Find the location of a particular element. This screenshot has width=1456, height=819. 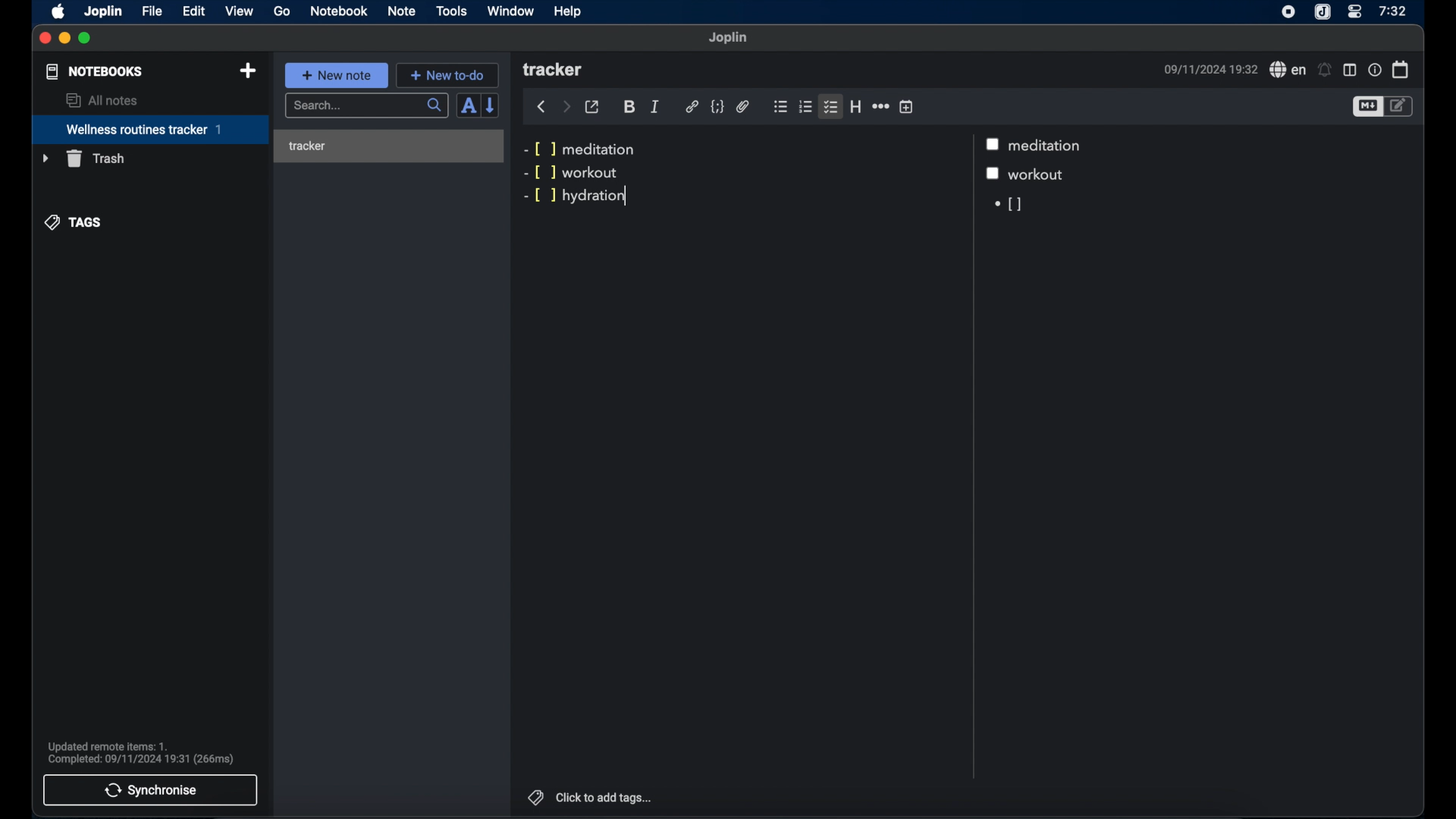

-[ ] meditation is located at coordinates (583, 148).